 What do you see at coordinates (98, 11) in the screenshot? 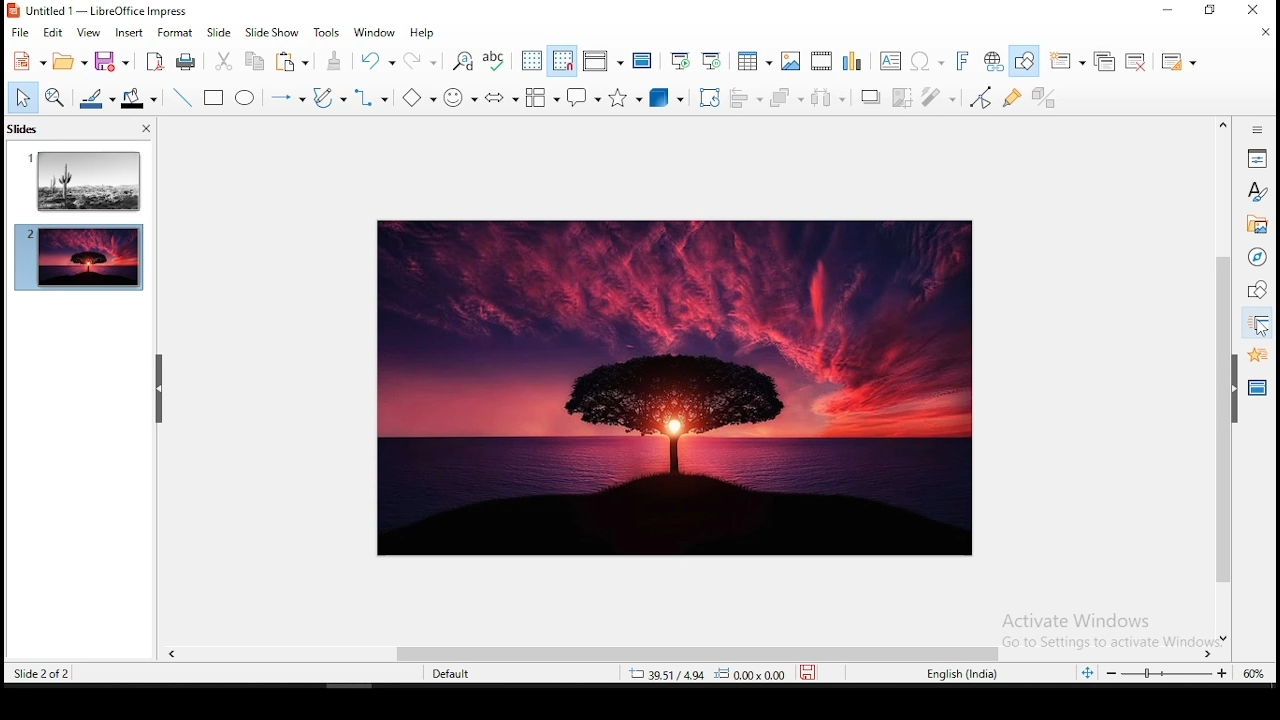
I see `untitled 1 - LibreOffice Impress ` at bounding box center [98, 11].